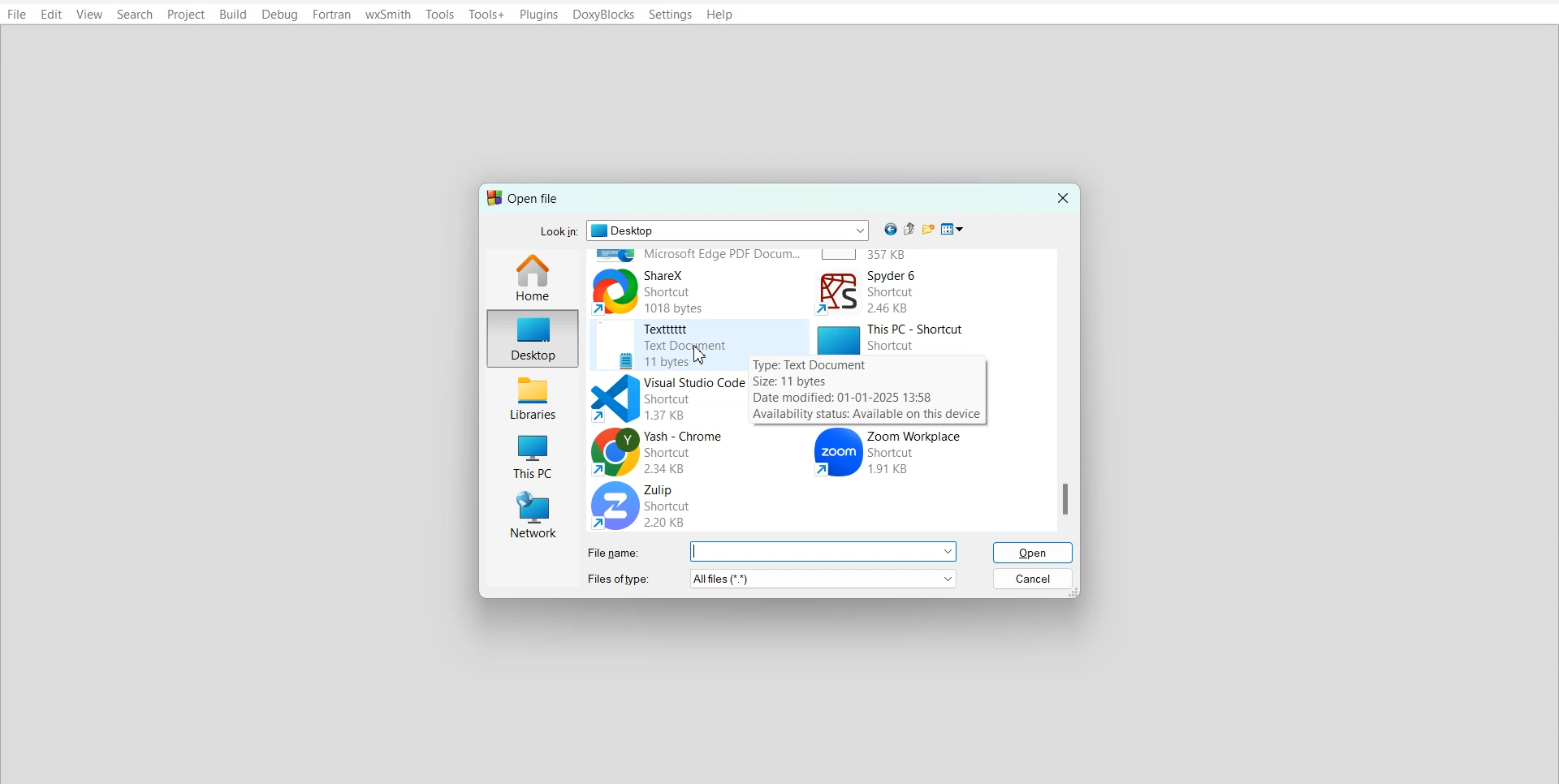  Describe the element at coordinates (90, 14) in the screenshot. I see `View` at that location.